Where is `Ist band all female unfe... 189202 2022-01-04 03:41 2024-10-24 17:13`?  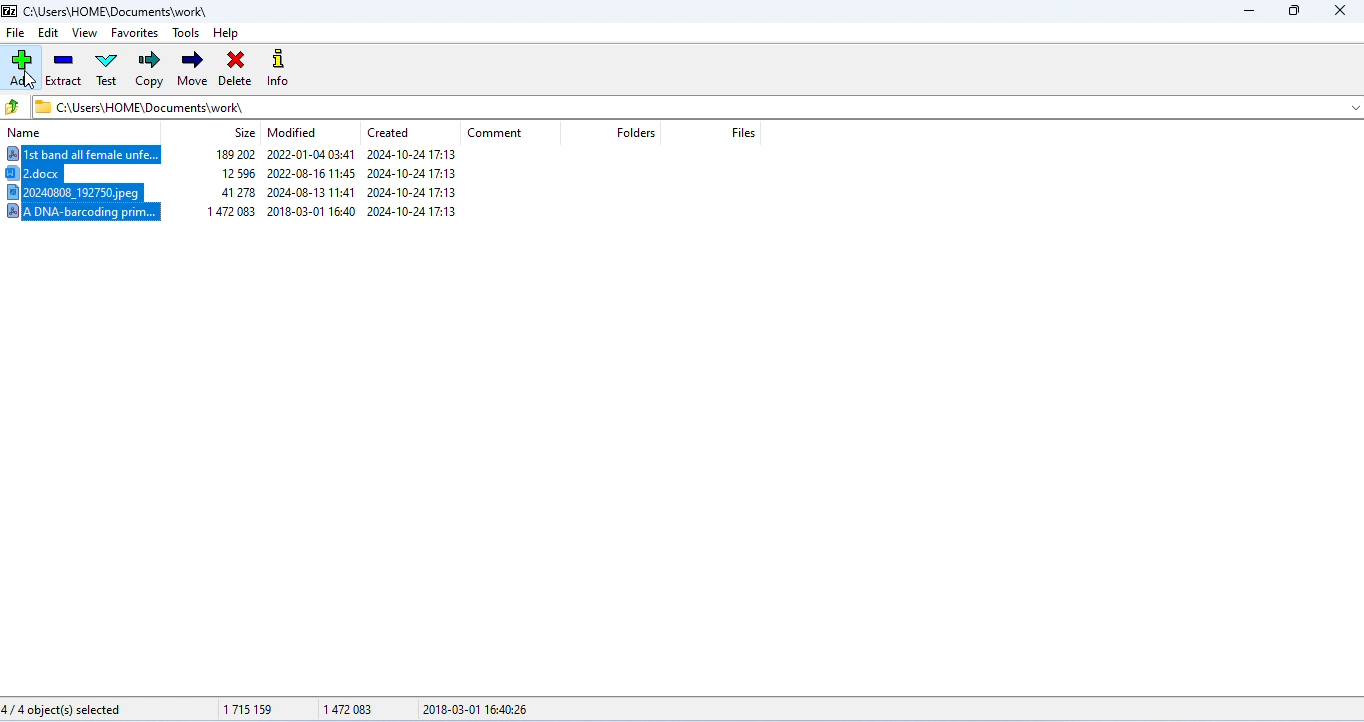 Ist band all female unfe... 189202 2022-01-04 03:41 2024-10-24 17:13 is located at coordinates (245, 156).